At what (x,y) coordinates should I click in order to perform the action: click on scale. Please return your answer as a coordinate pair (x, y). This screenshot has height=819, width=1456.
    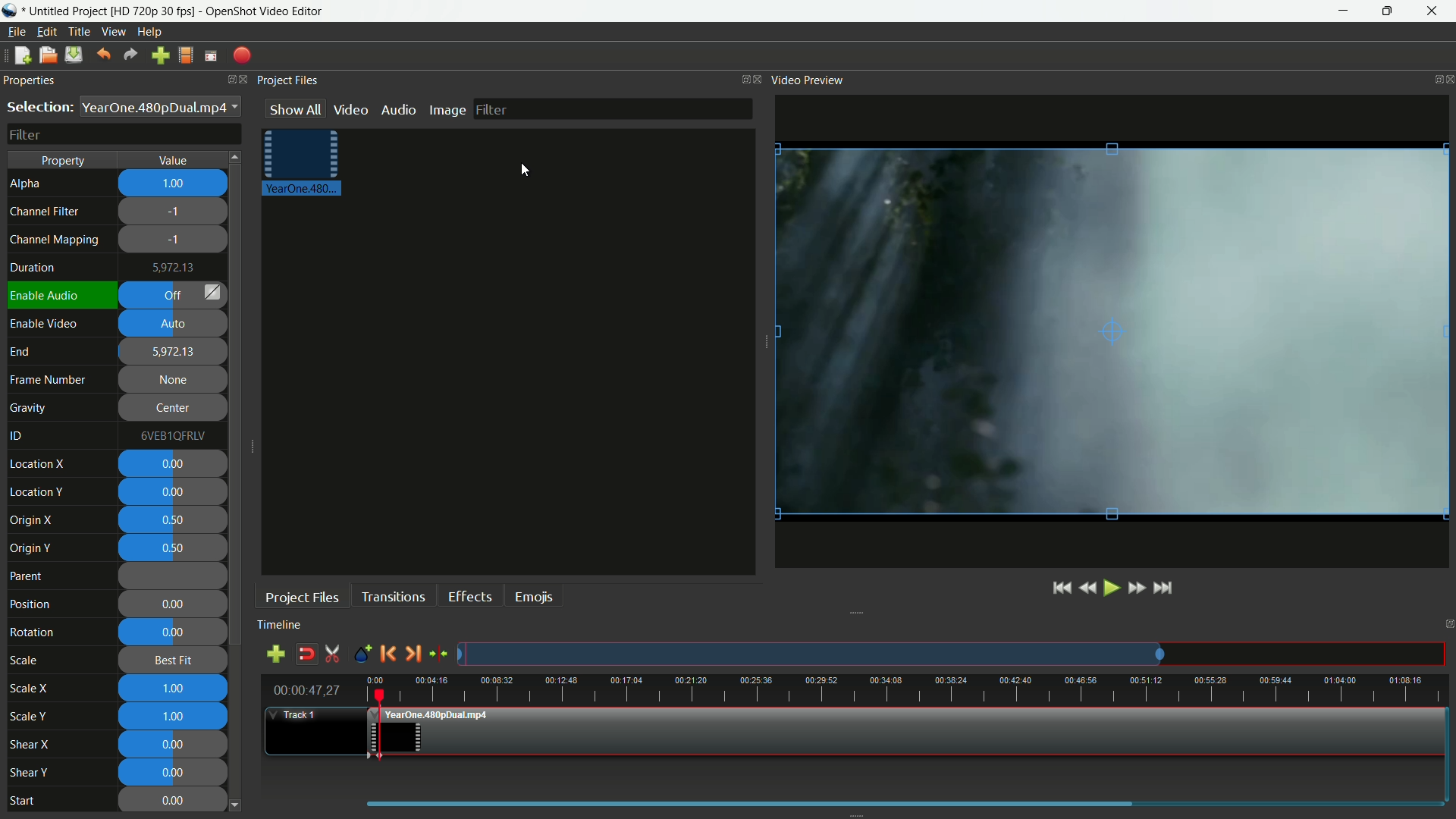
    Looking at the image, I should click on (25, 661).